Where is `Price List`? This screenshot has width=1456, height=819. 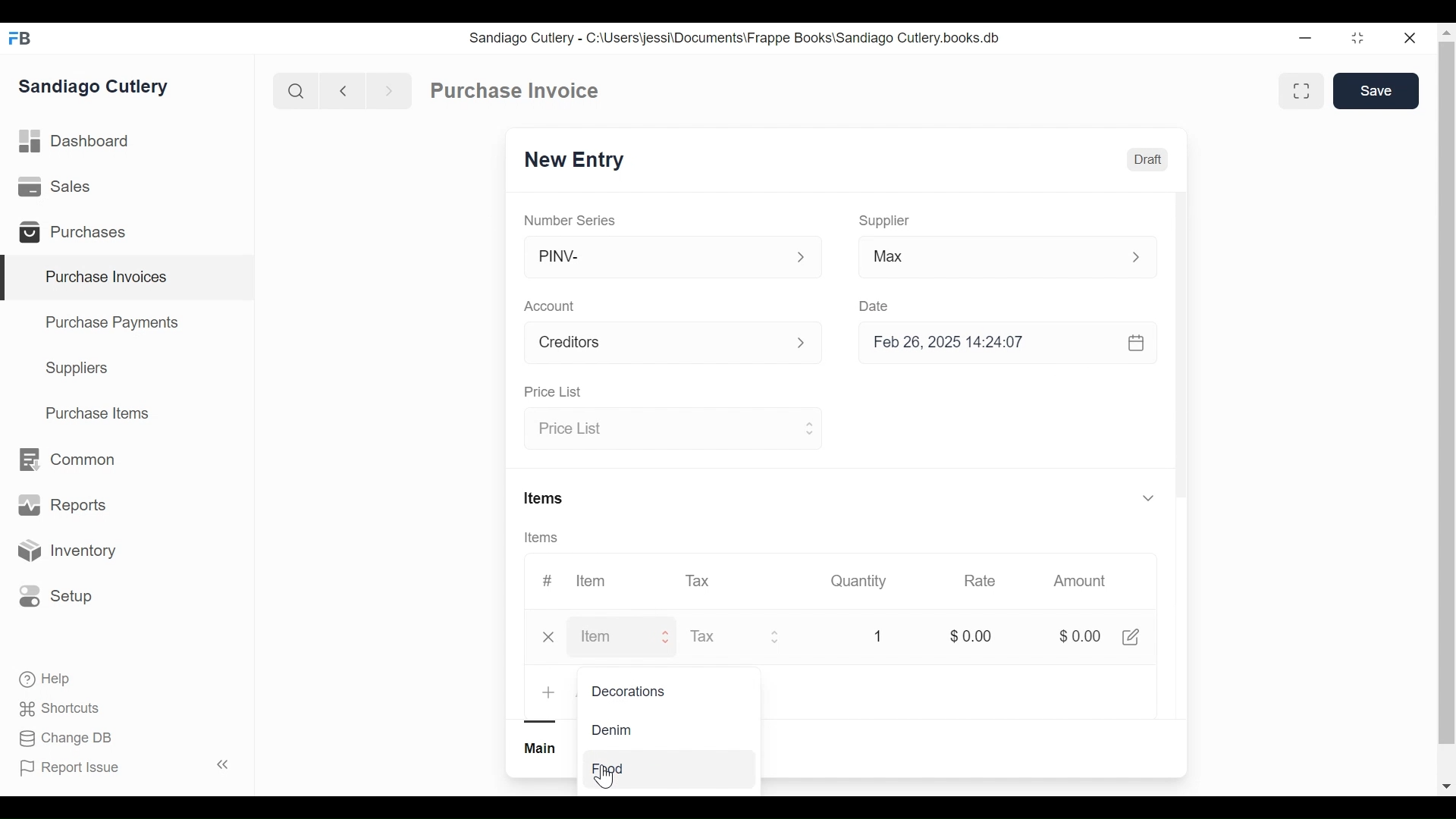
Price List is located at coordinates (661, 430).